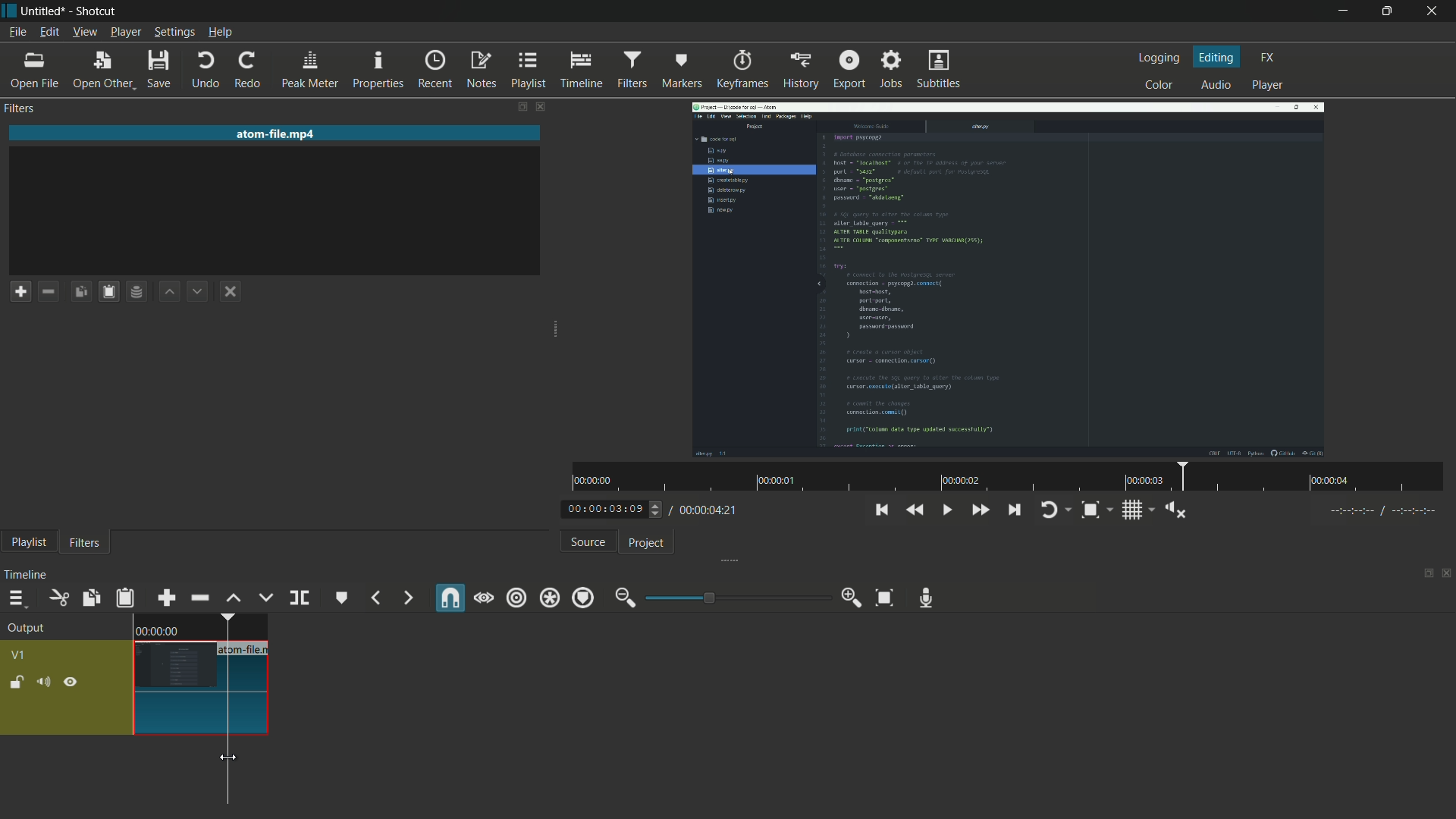  What do you see at coordinates (58, 598) in the screenshot?
I see `cut` at bounding box center [58, 598].